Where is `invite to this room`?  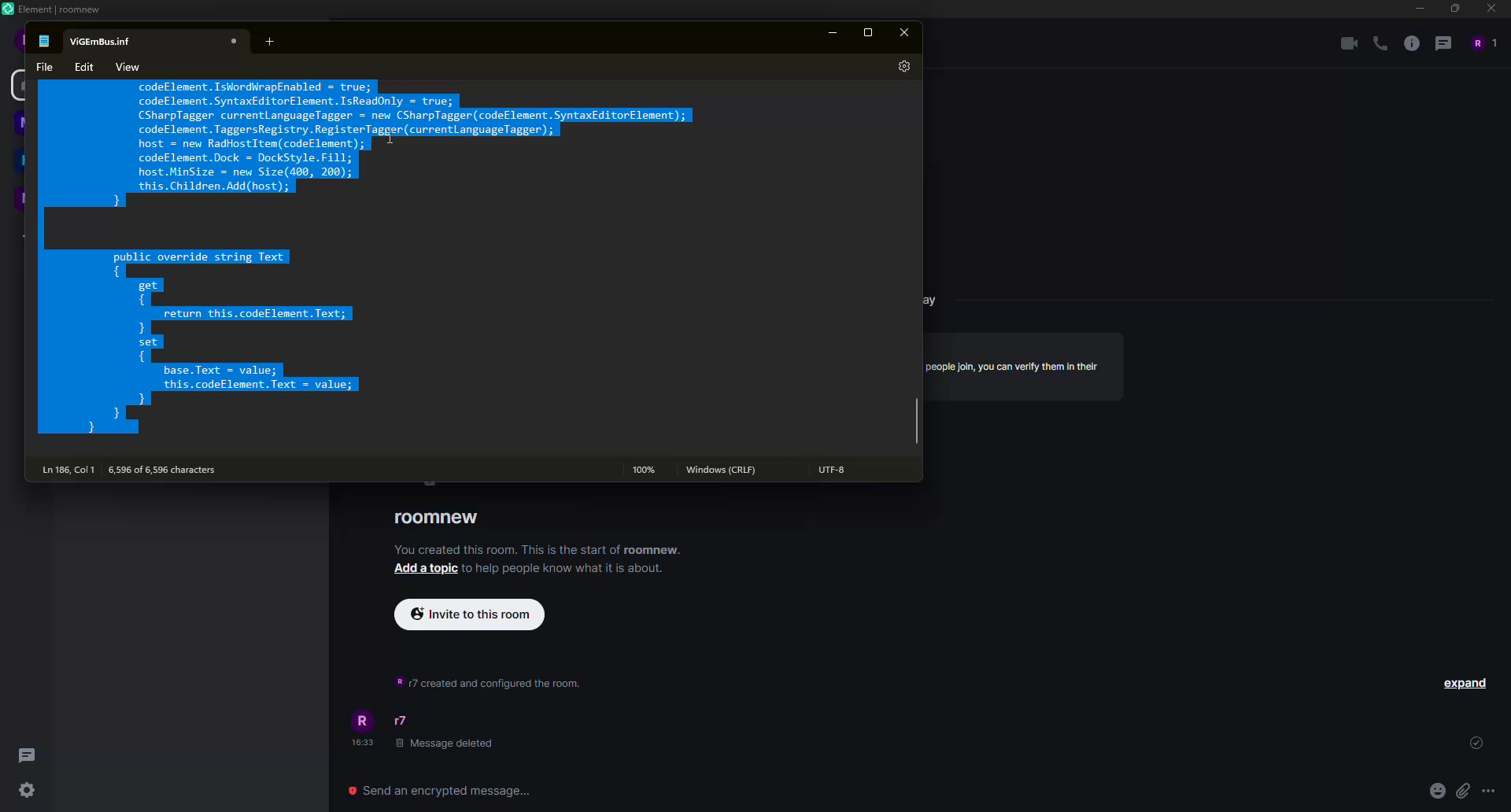
invite to this room is located at coordinates (475, 615).